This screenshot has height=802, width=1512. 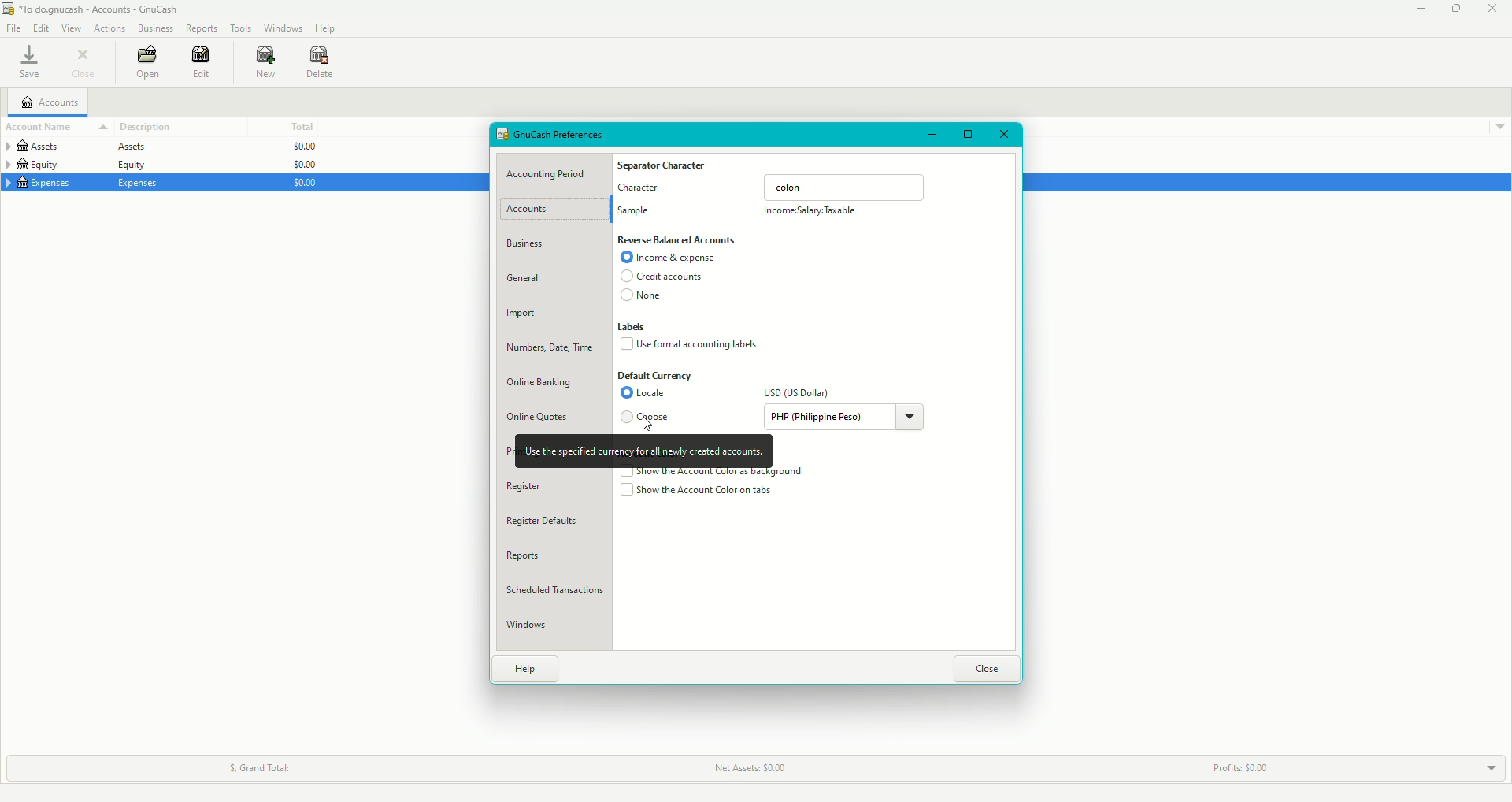 What do you see at coordinates (745, 768) in the screenshot?
I see `Net Assets` at bounding box center [745, 768].